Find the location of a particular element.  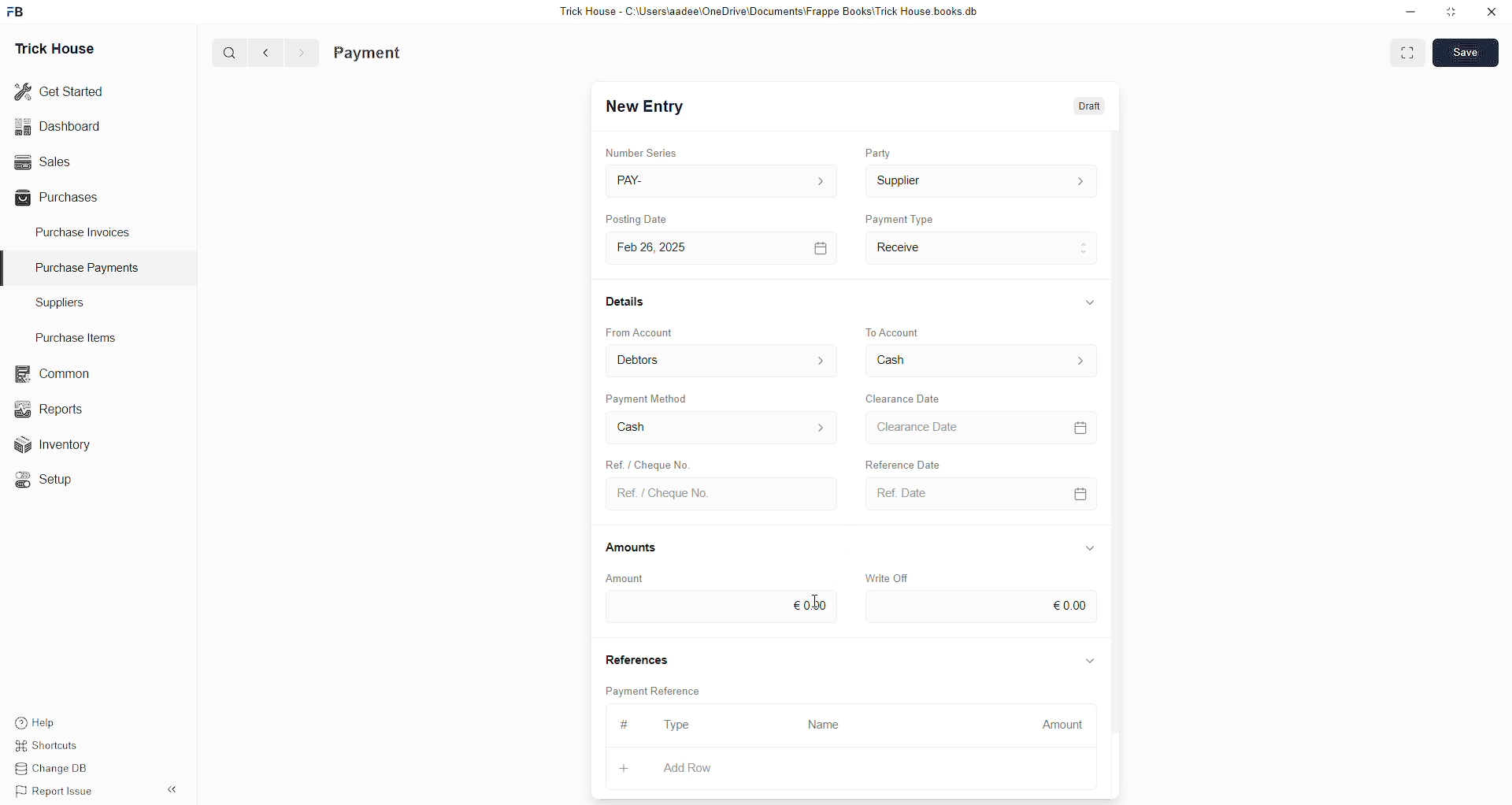

Party is located at coordinates (880, 154).